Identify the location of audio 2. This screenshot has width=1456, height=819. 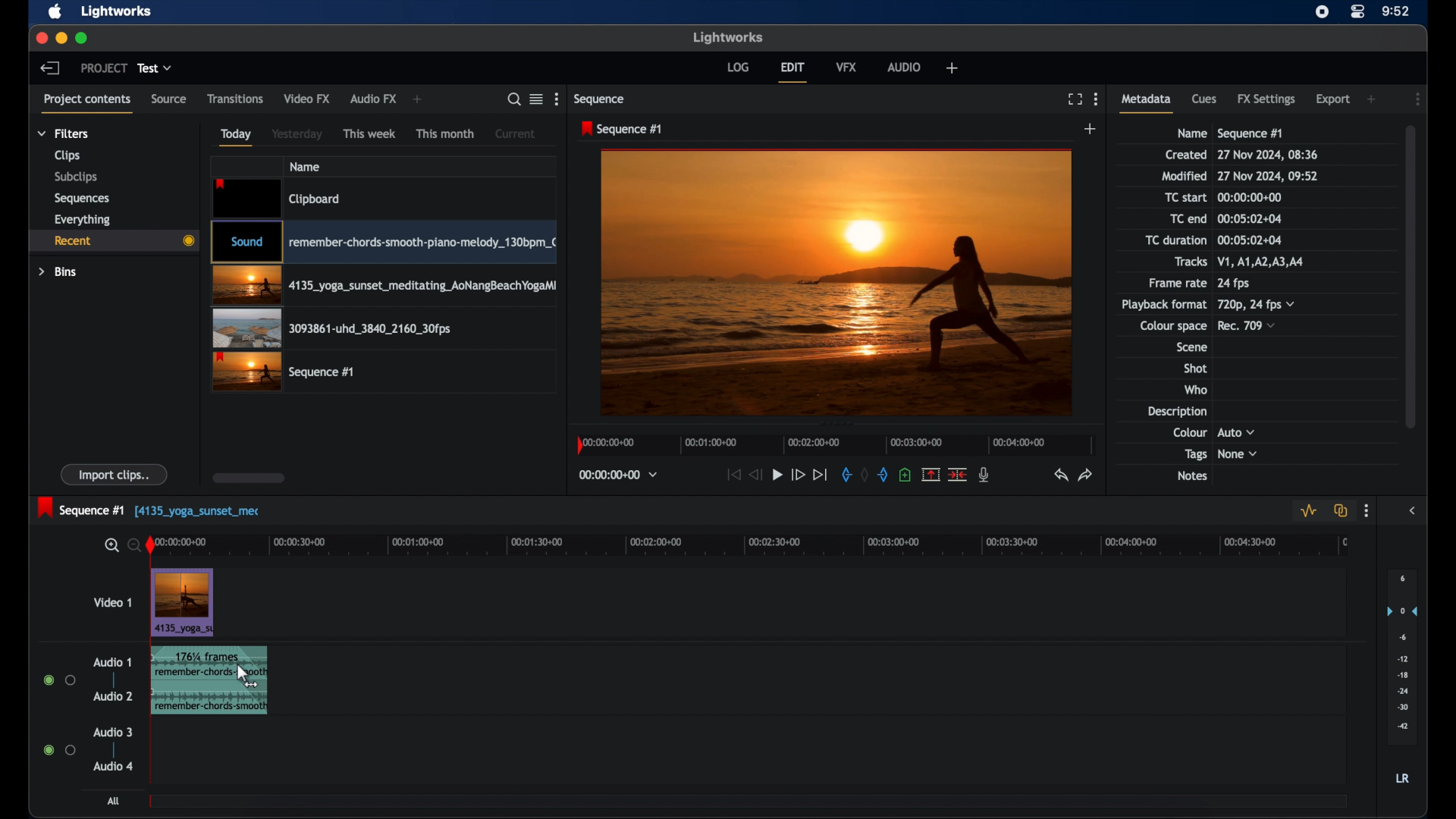
(111, 696).